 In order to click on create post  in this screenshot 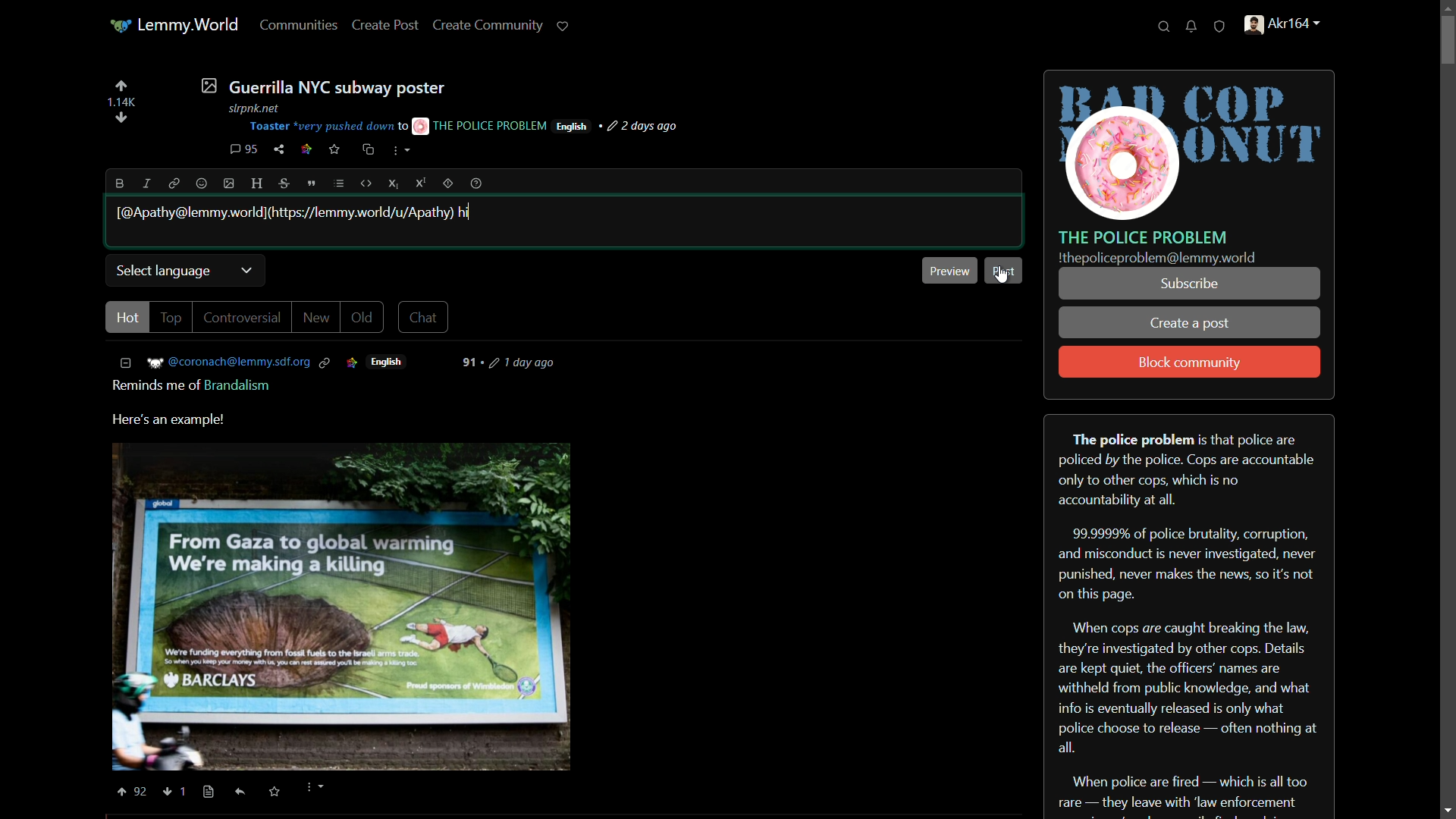, I will do `click(386, 26)`.